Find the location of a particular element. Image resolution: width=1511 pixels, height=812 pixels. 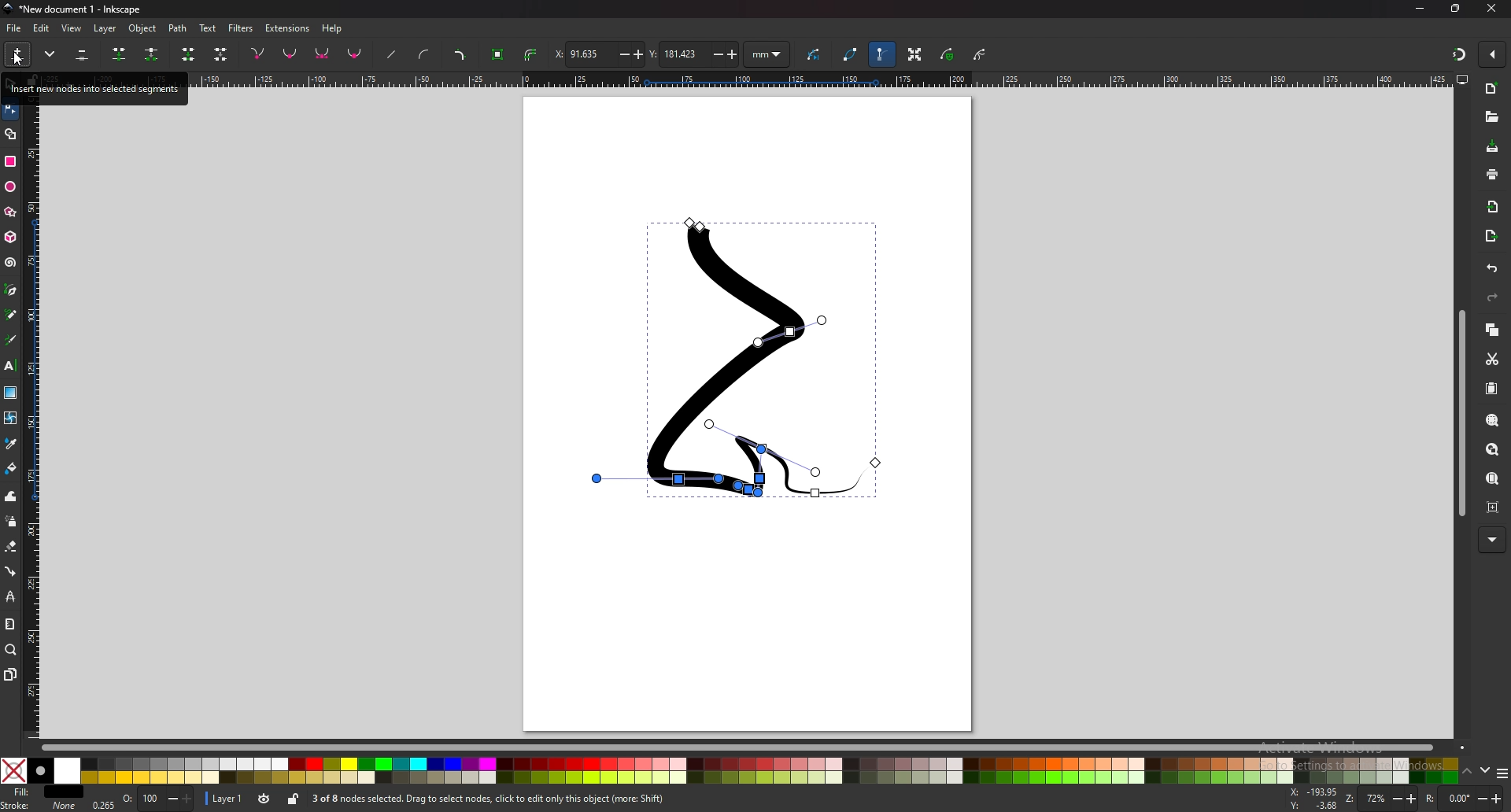

object is located at coordinates (142, 28).